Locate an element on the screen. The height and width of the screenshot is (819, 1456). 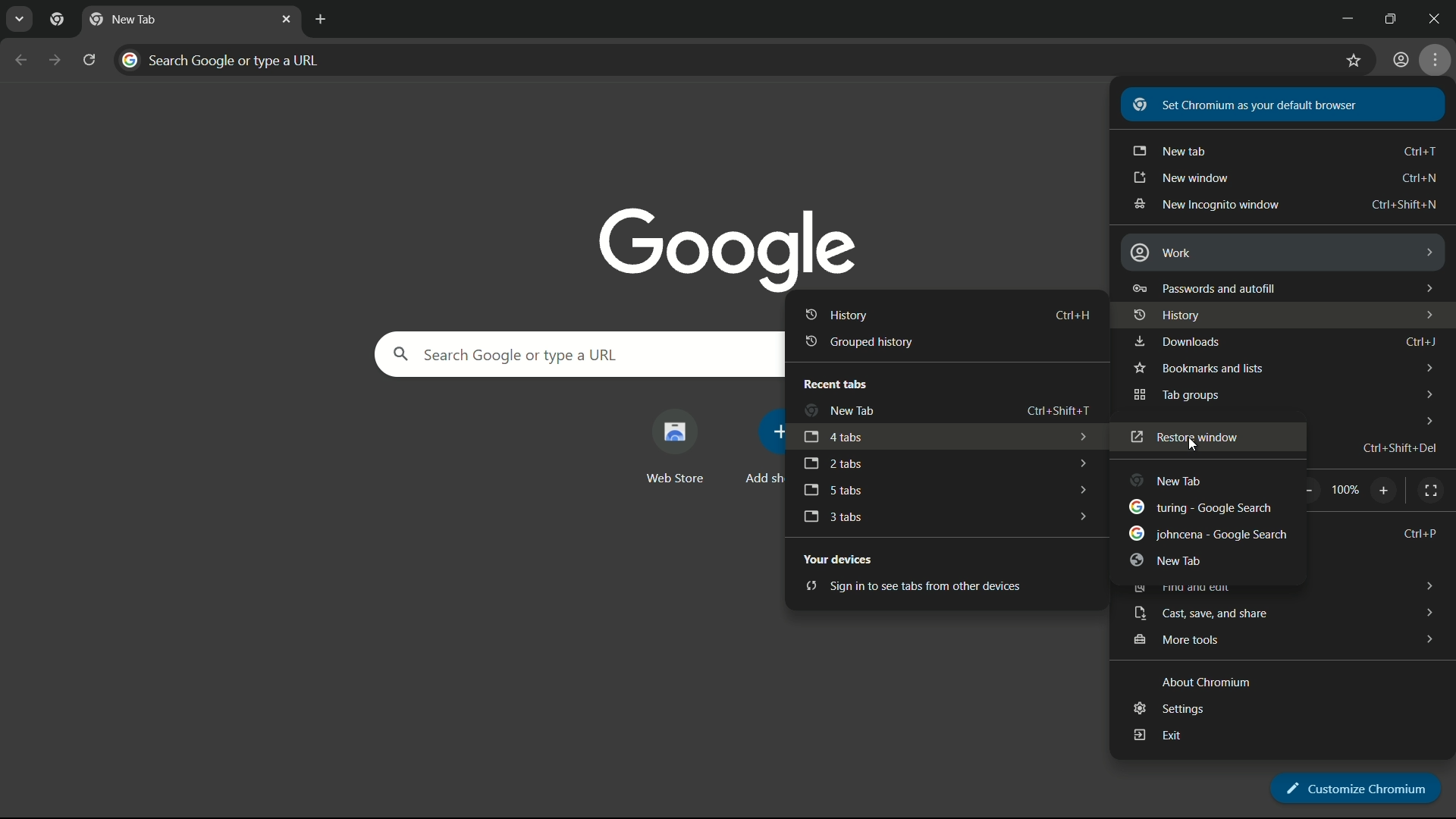
new incognito window is located at coordinates (1204, 206).